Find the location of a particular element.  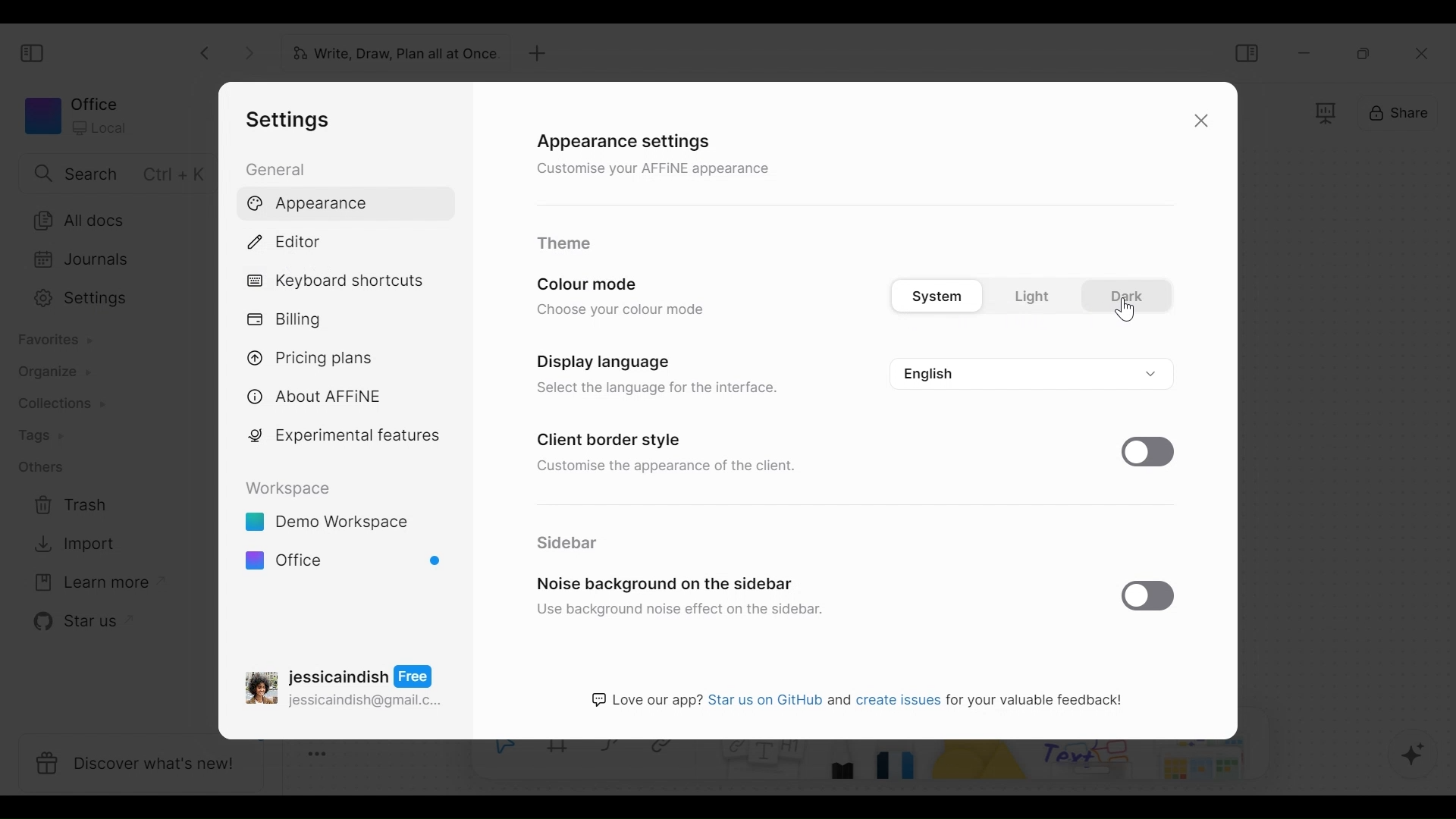

Share is located at coordinates (1396, 115).